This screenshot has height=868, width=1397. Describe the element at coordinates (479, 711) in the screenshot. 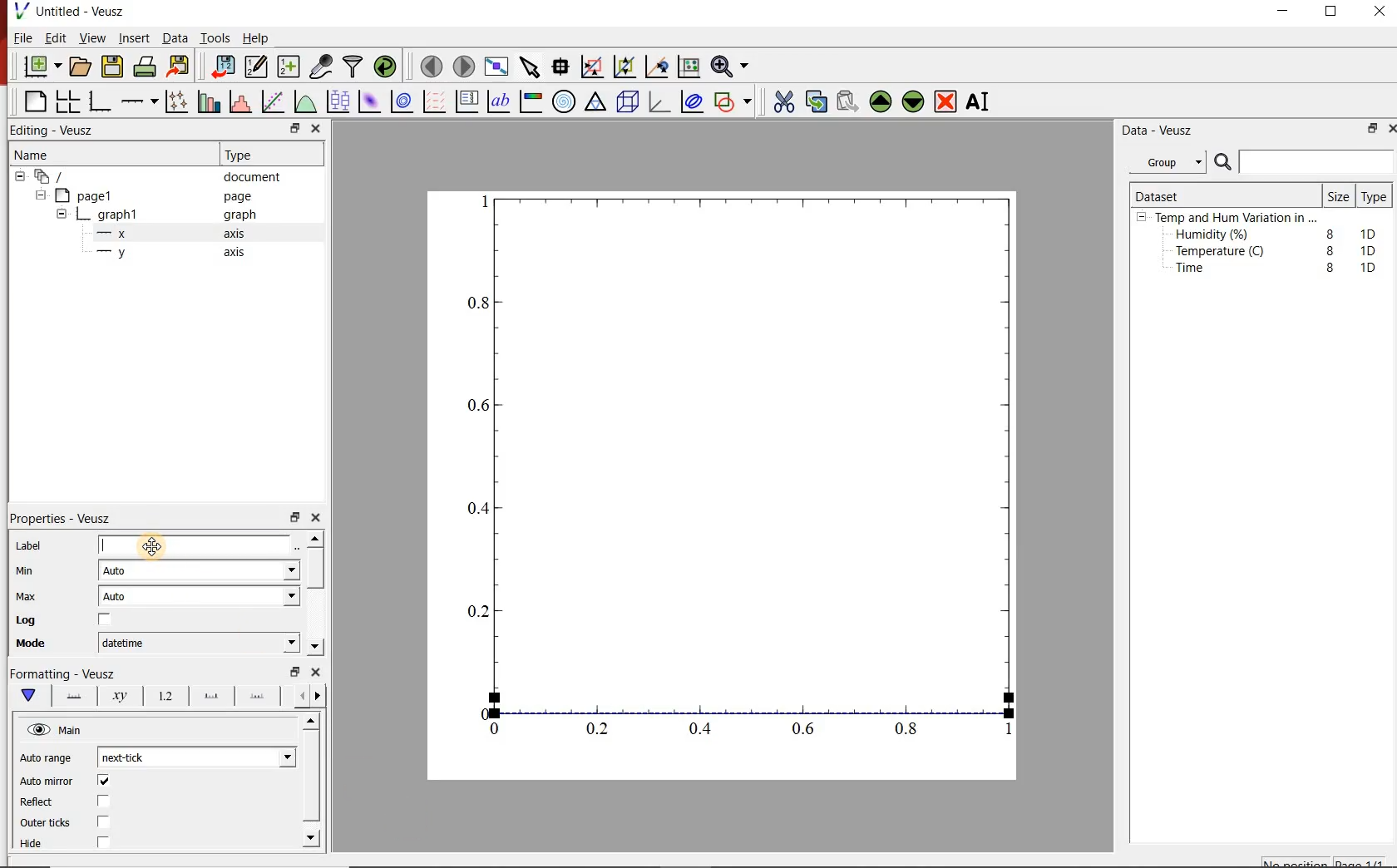

I see `0` at that location.